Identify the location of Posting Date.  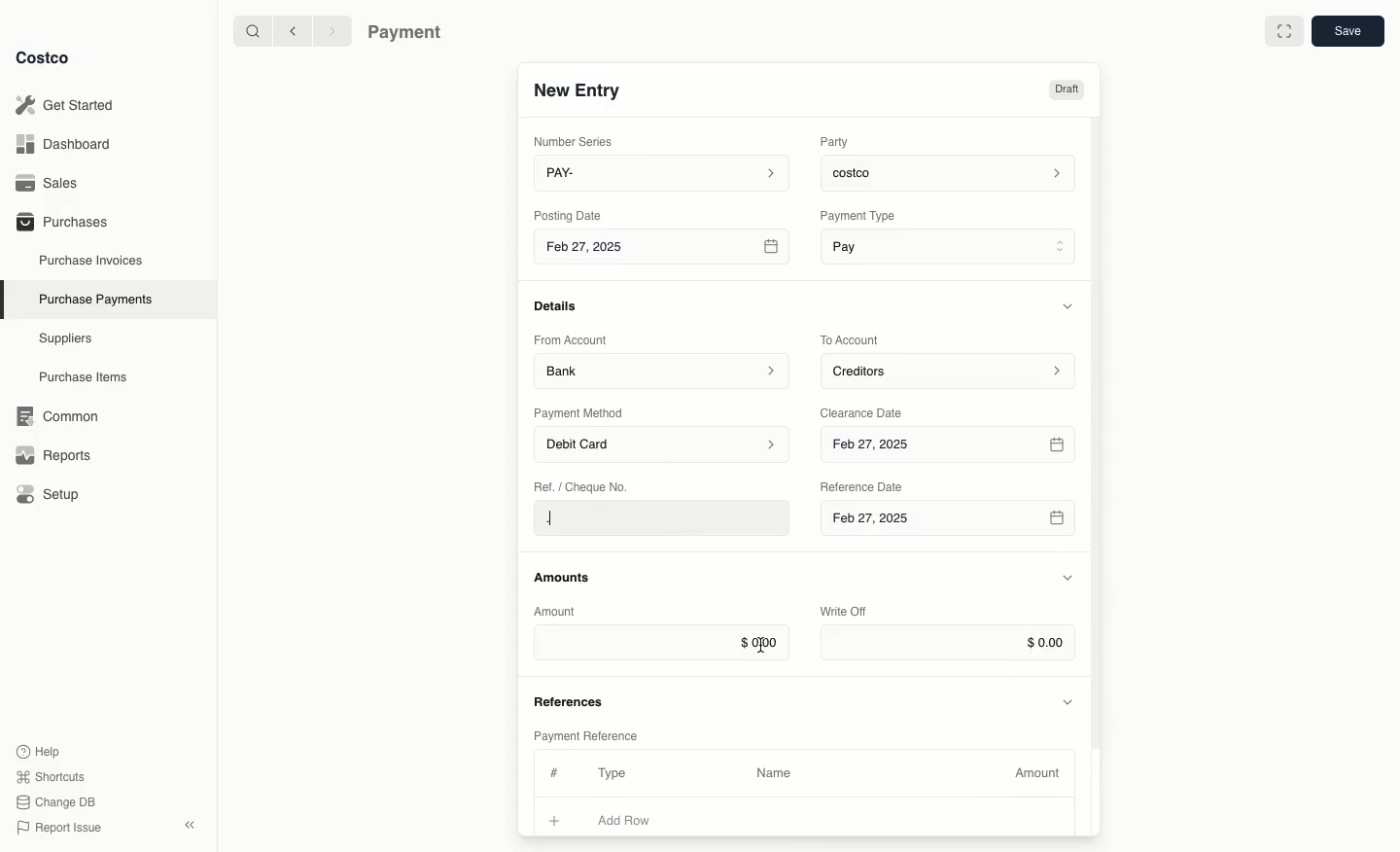
(570, 214).